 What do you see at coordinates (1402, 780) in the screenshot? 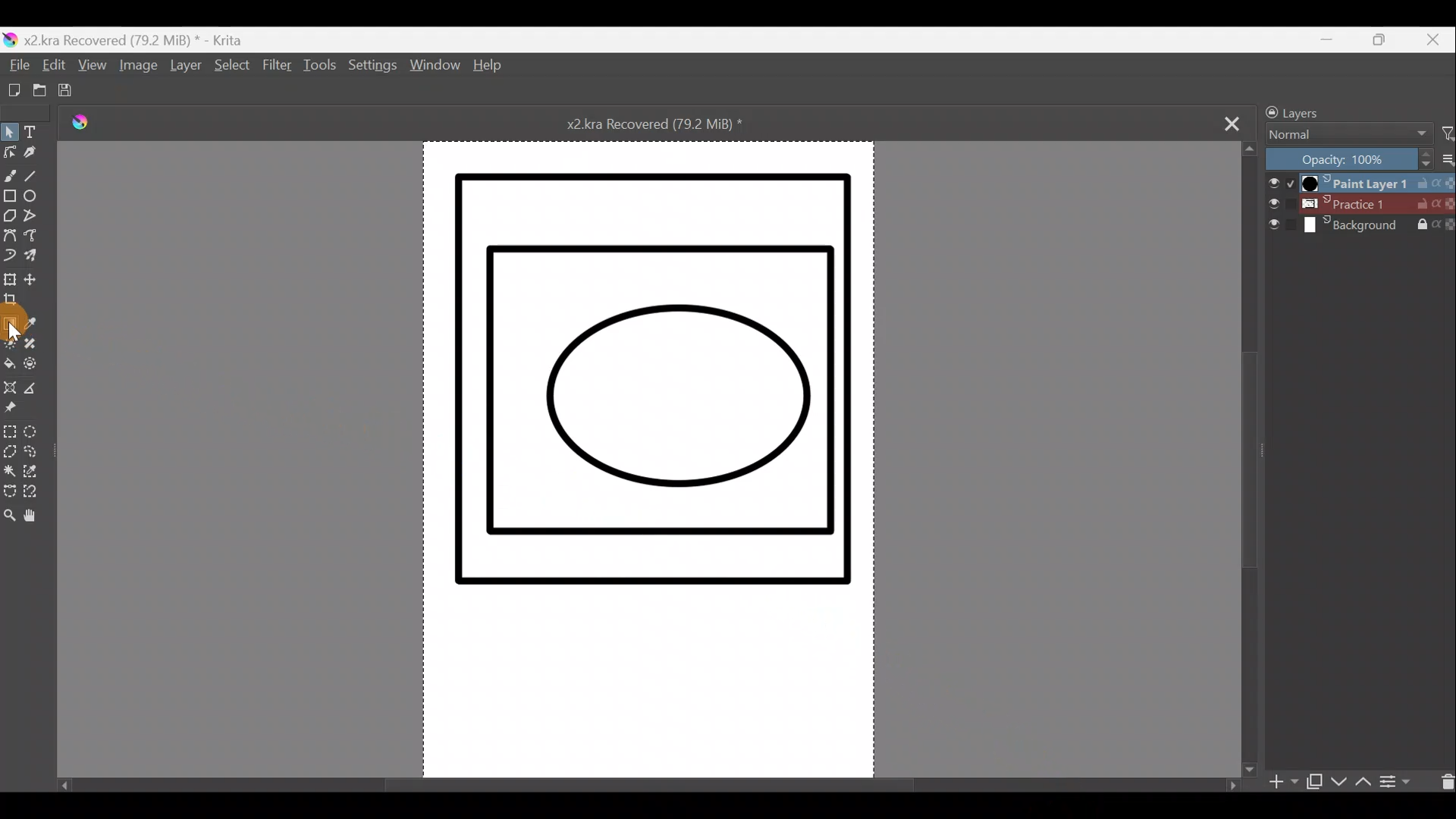
I see `View/change layer properties` at bounding box center [1402, 780].